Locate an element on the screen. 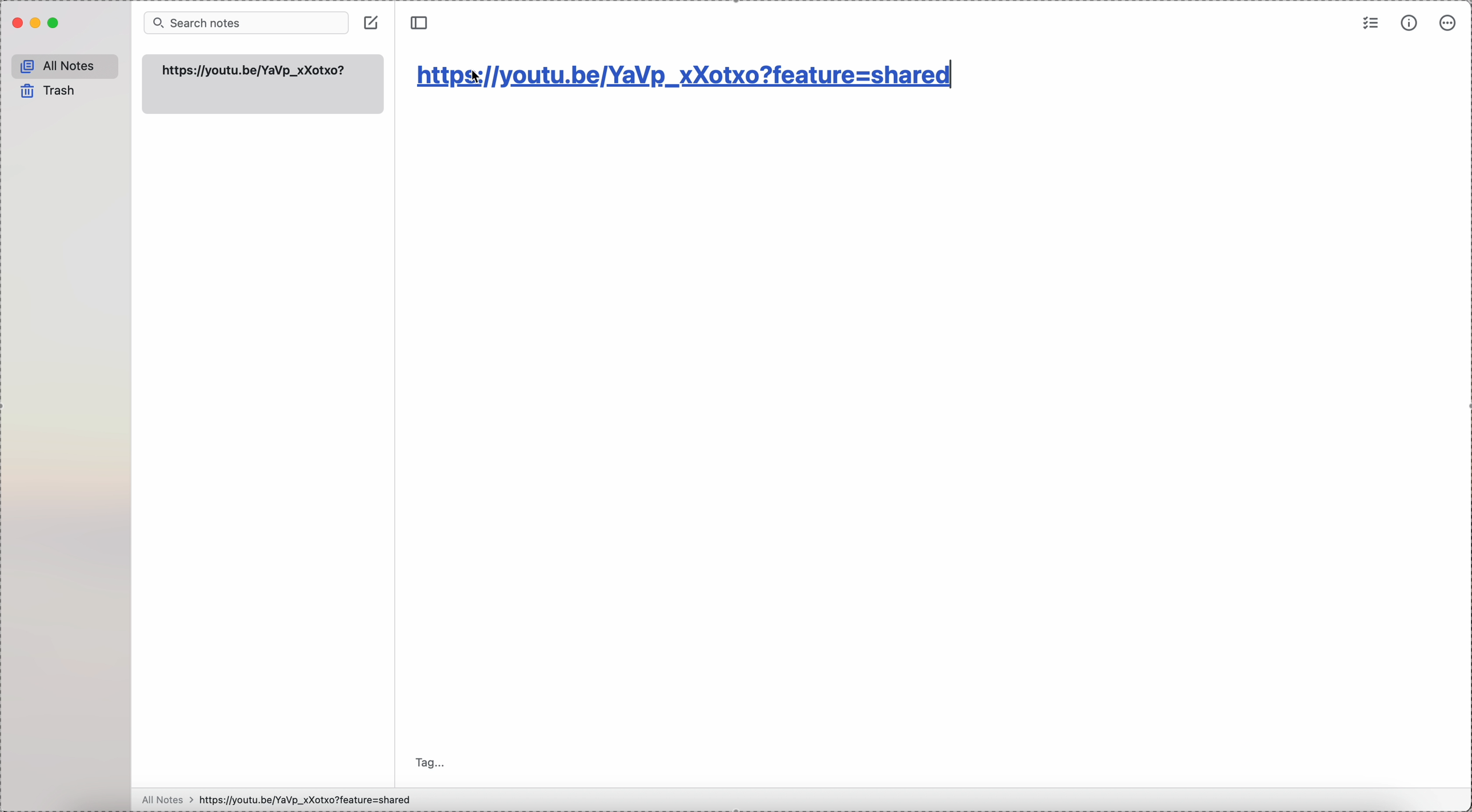 The image size is (1472, 812). toggle sidebar is located at coordinates (419, 23).